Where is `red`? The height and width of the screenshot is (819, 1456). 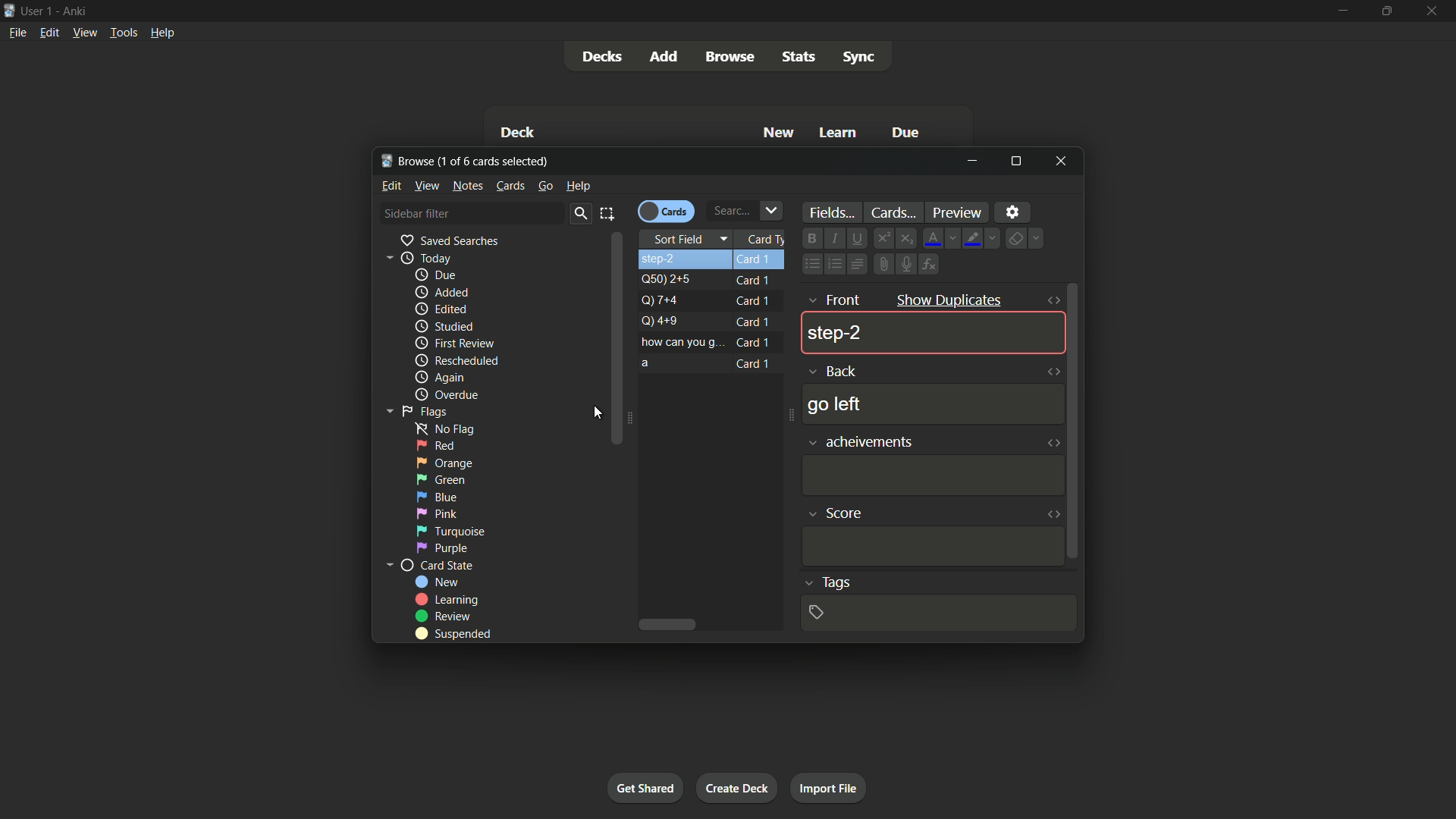
red is located at coordinates (435, 446).